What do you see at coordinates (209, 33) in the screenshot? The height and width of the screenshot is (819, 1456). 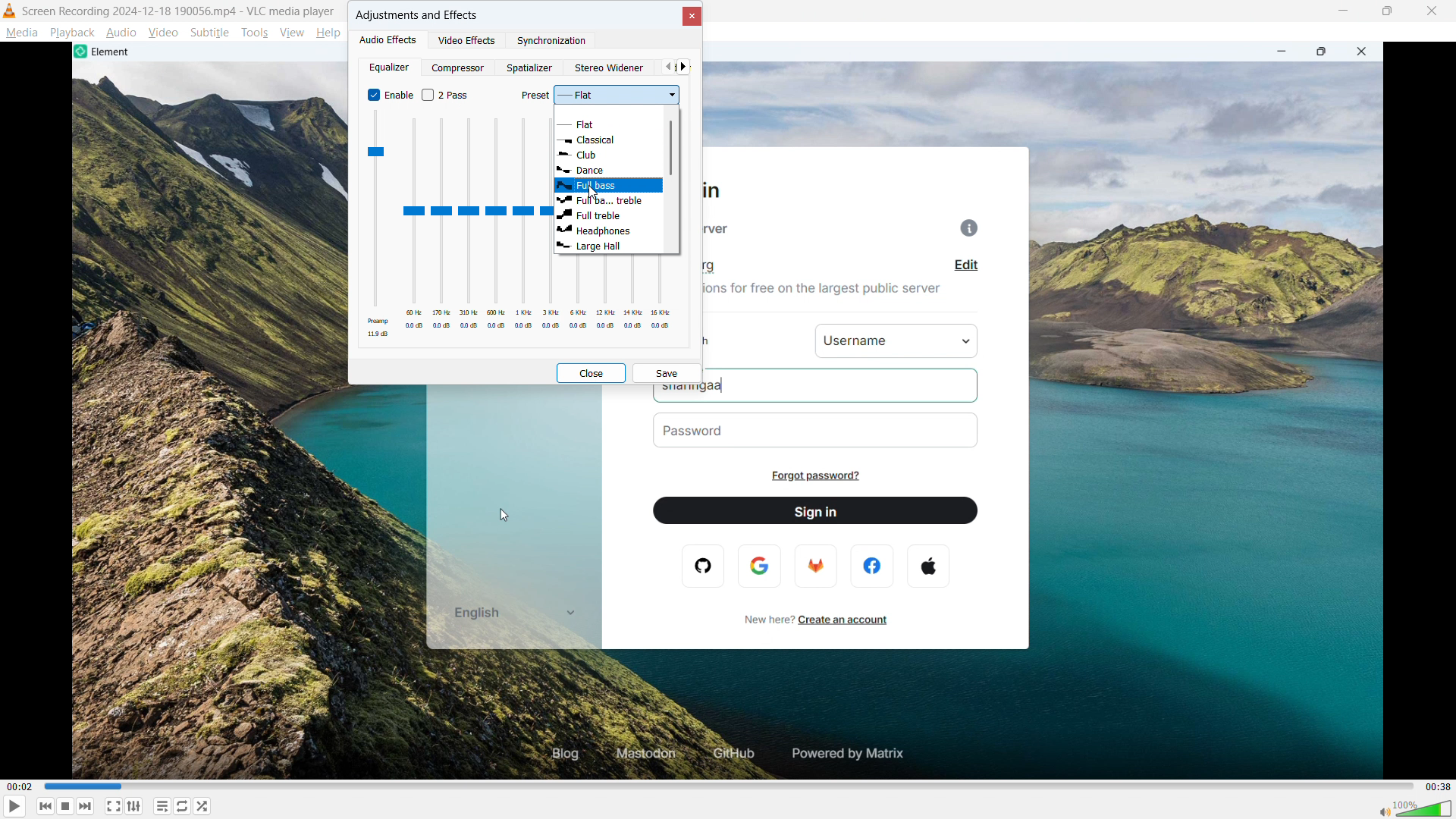 I see `Subtitle ` at bounding box center [209, 33].